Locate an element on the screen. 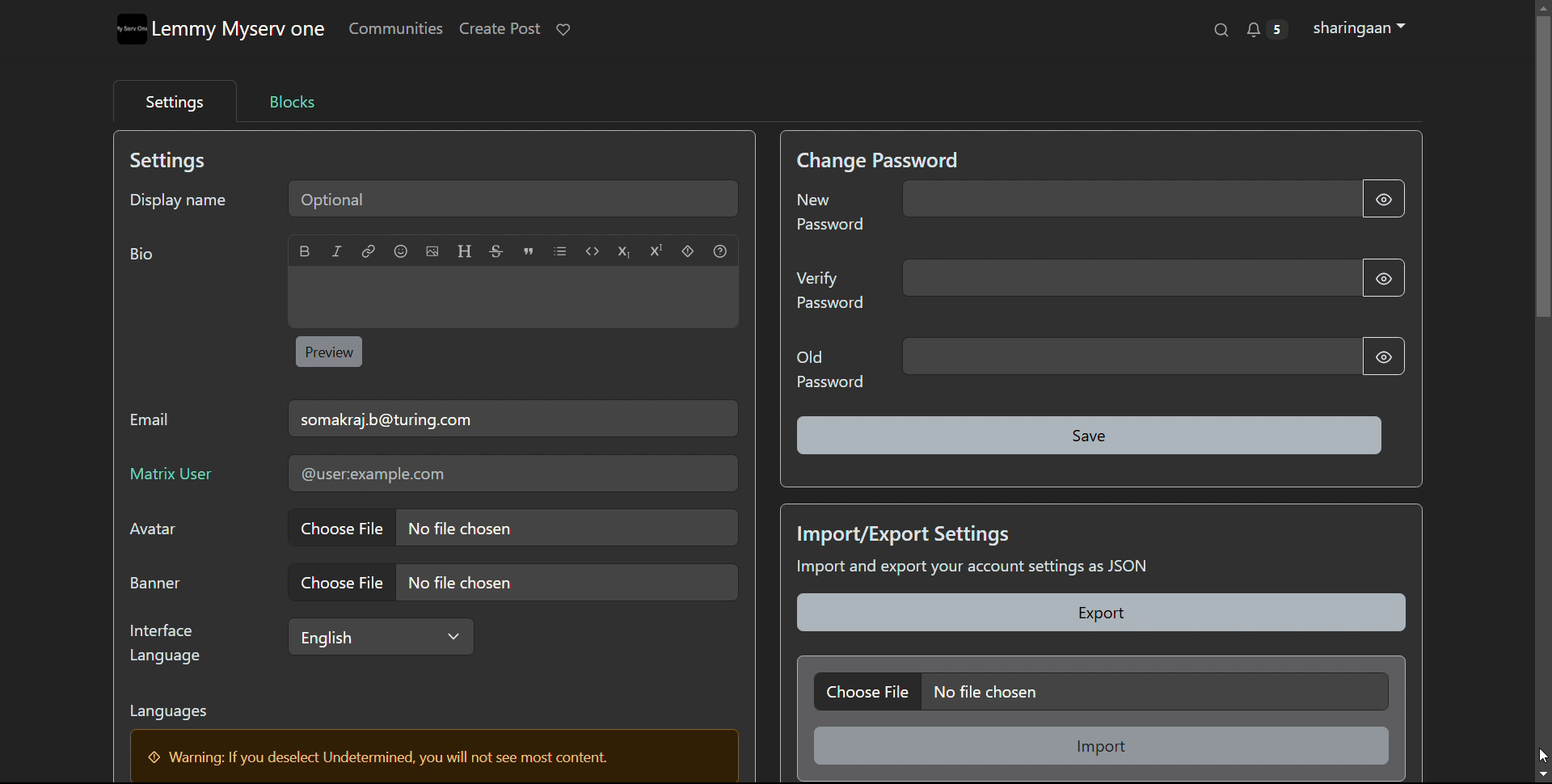  Cursor is located at coordinates (1542, 754).